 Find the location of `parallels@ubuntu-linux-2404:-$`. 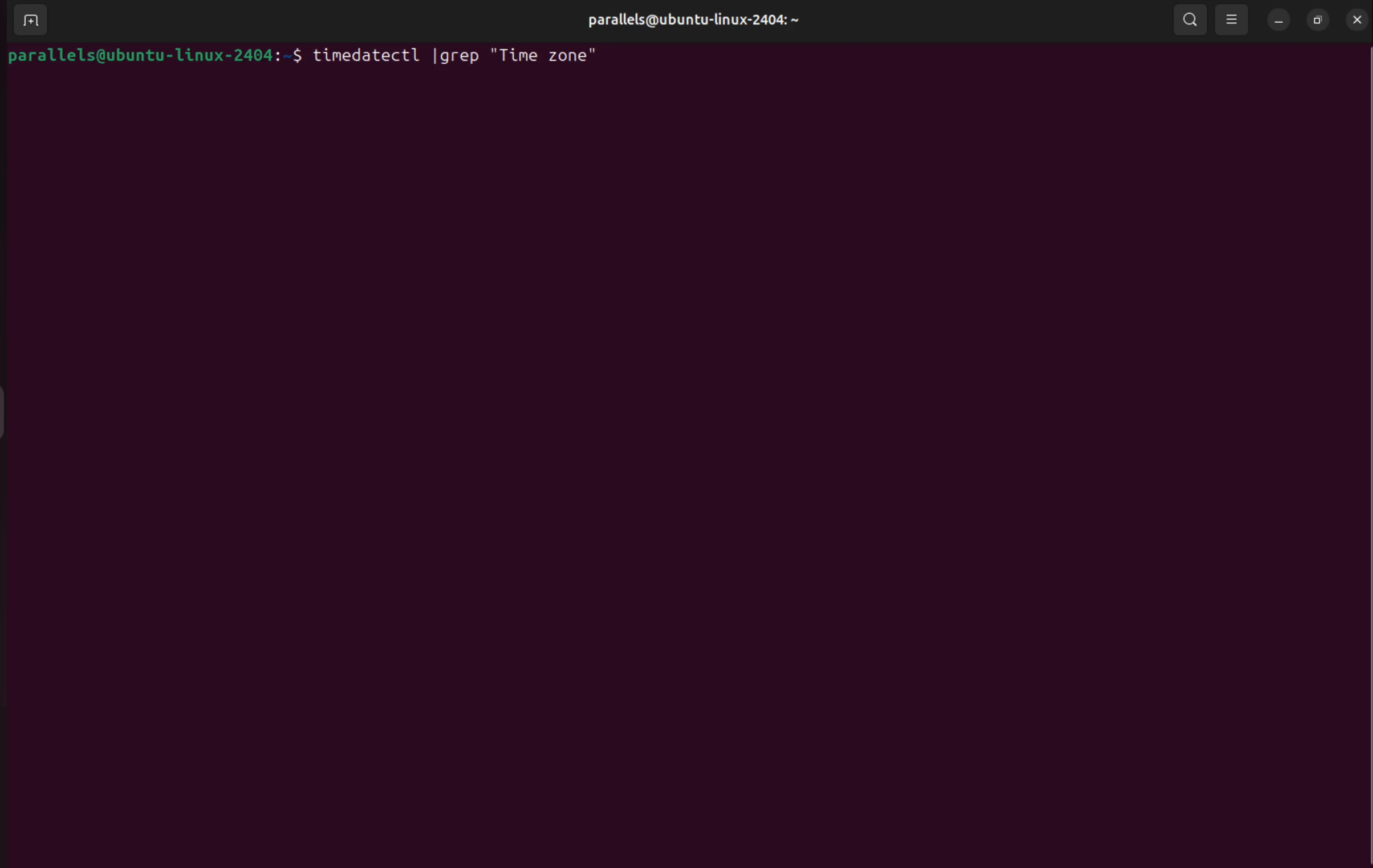

parallels@ubuntu-linux-2404:-$ is located at coordinates (154, 56).